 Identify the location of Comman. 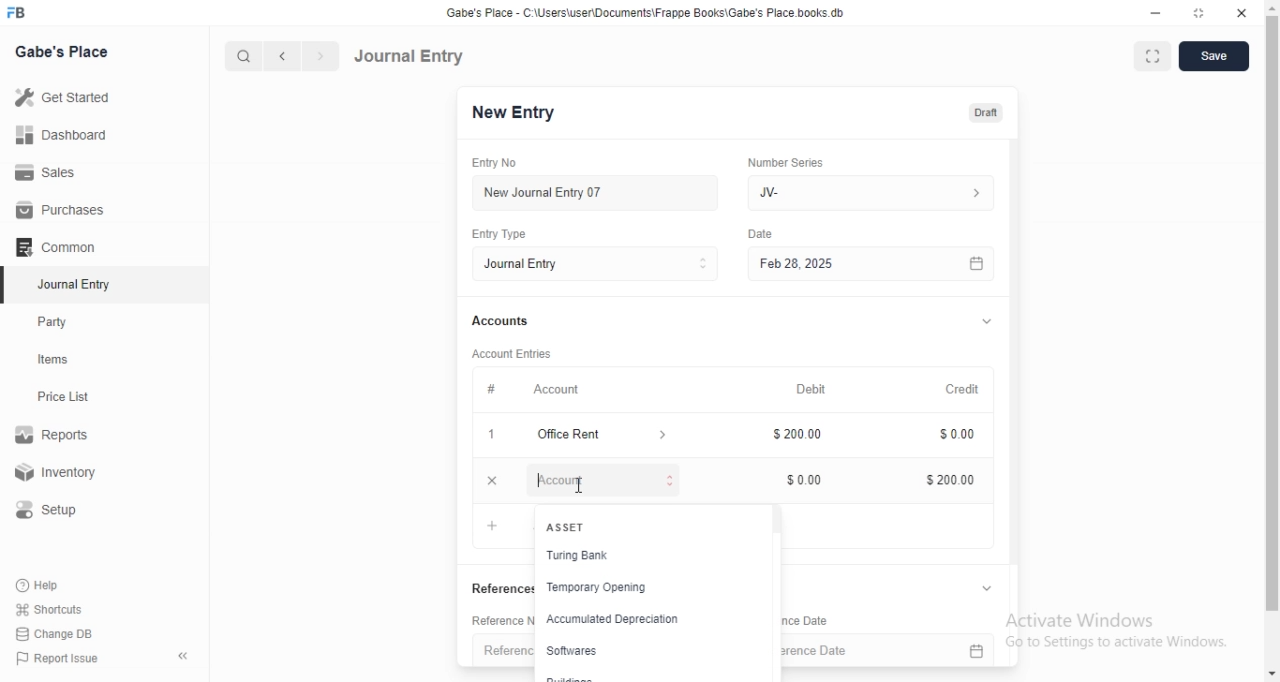
(49, 247).